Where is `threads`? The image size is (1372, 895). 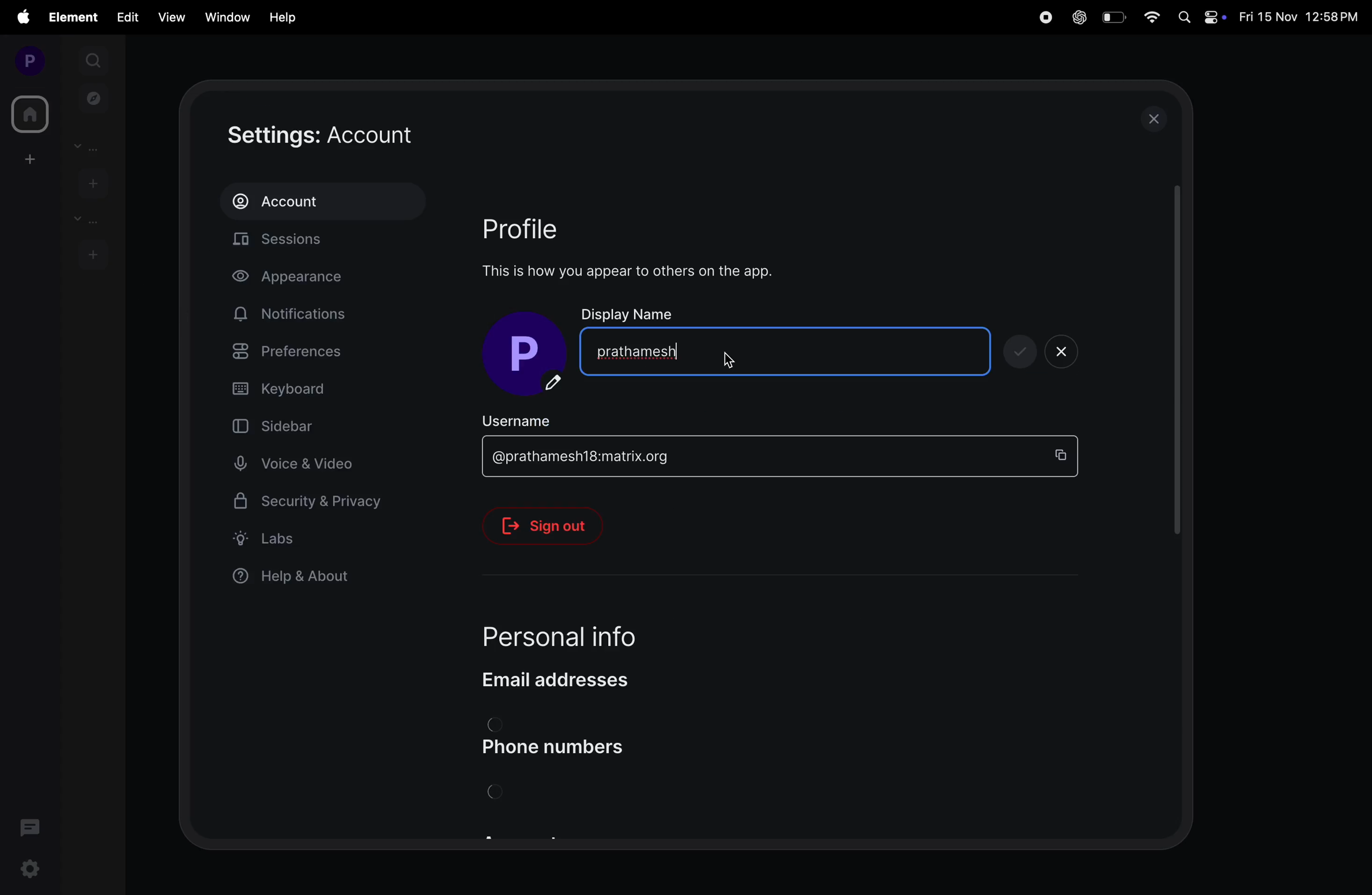
threads is located at coordinates (31, 826).